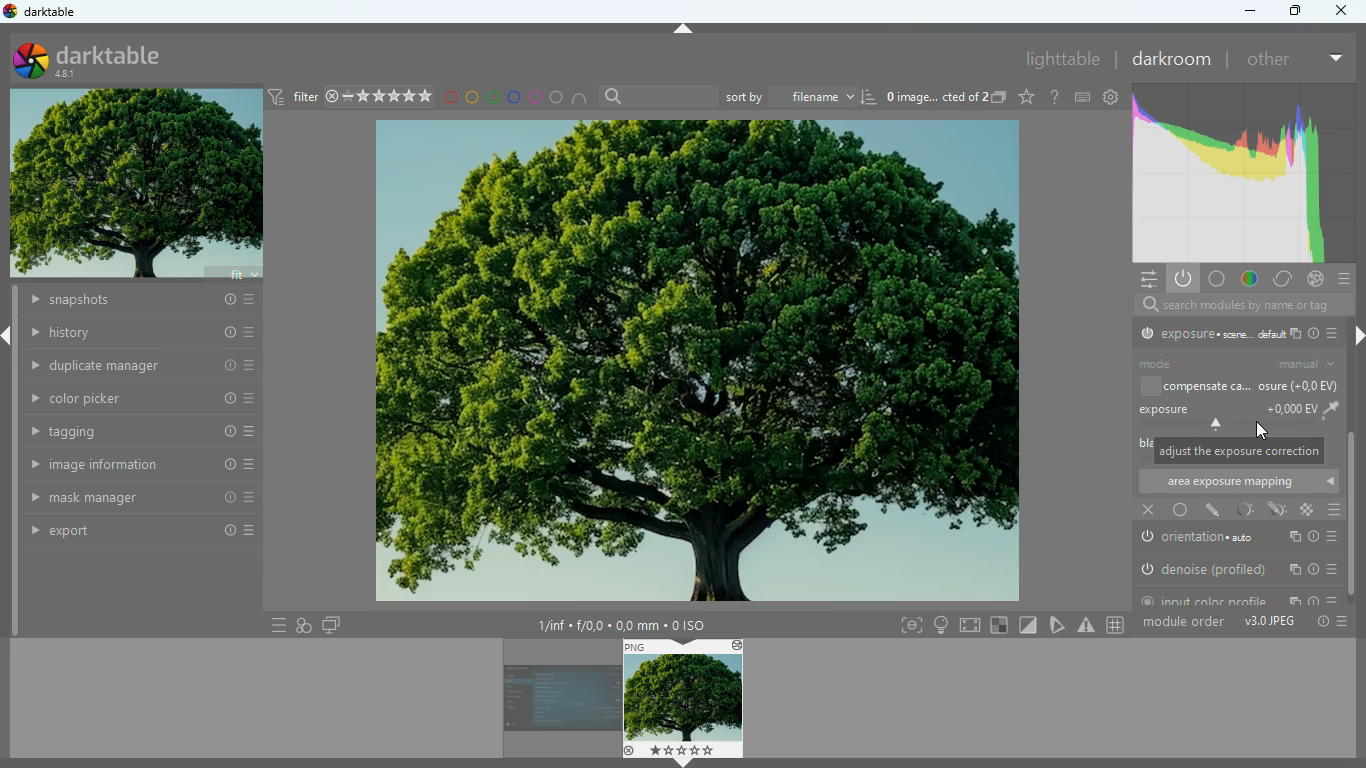 The height and width of the screenshot is (768, 1366). Describe the element at coordinates (472, 98) in the screenshot. I see `yellow` at that location.